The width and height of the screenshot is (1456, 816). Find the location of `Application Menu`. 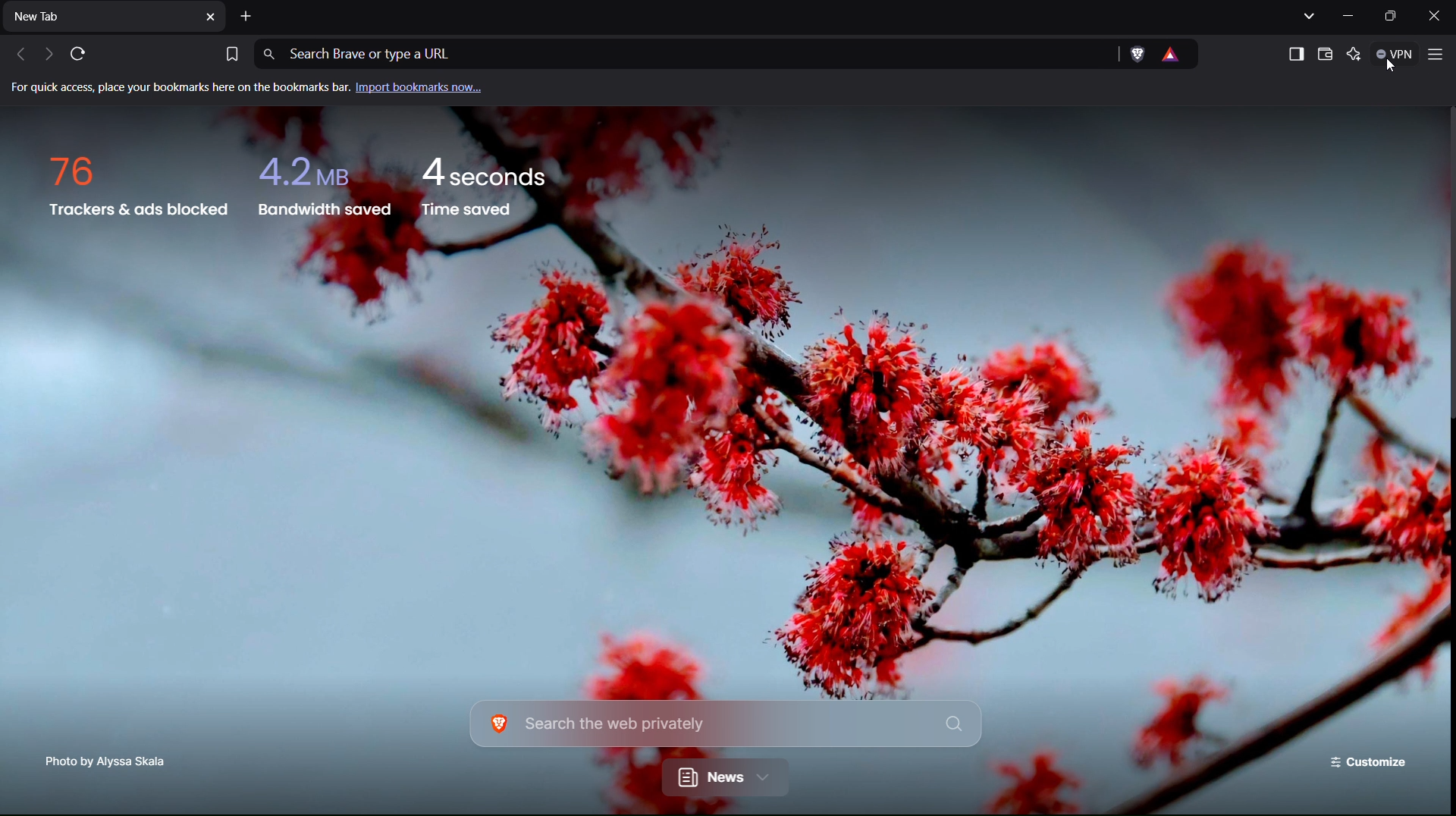

Application Menu is located at coordinates (1437, 57).